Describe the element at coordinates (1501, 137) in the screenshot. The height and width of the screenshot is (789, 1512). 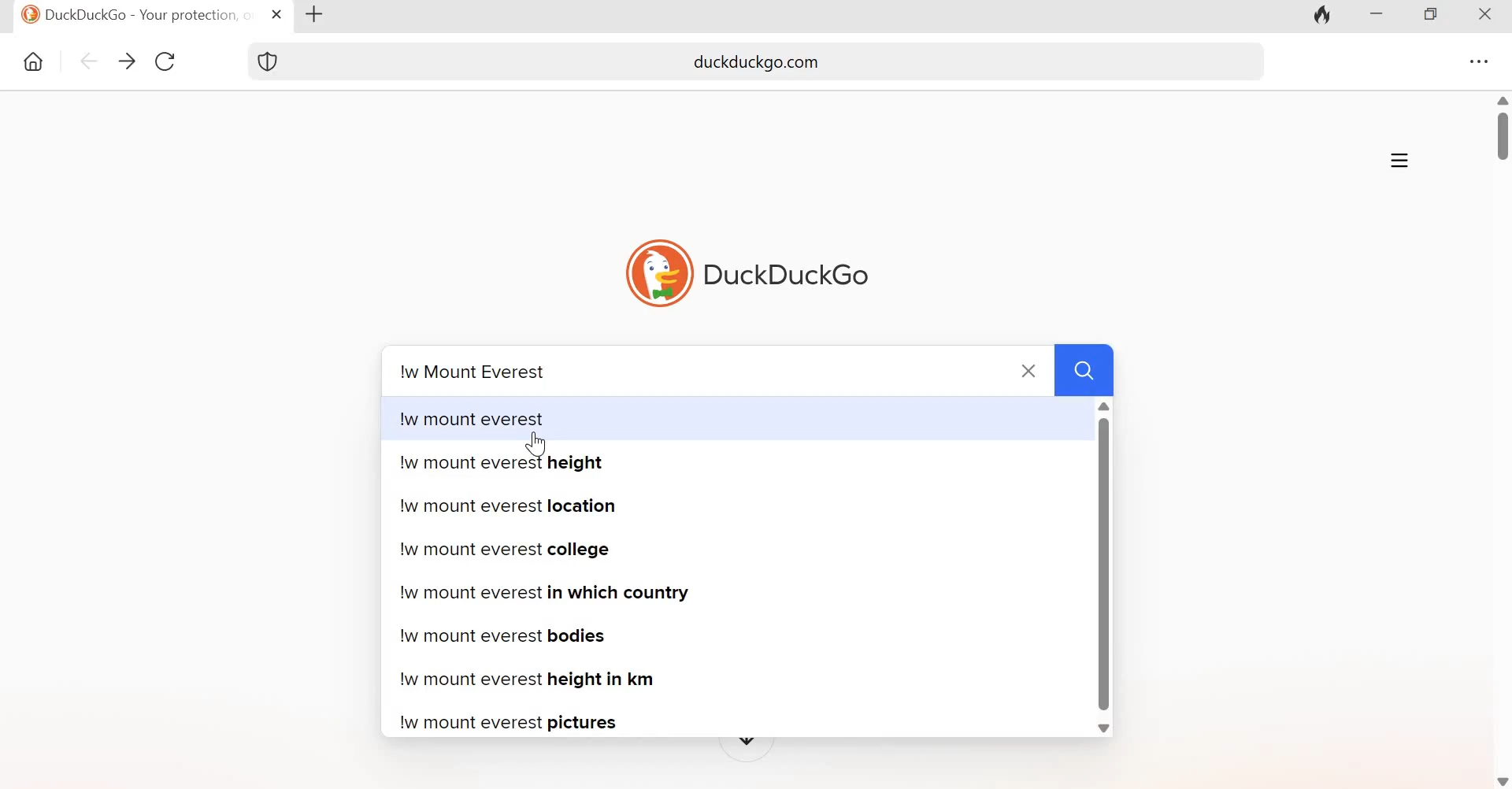
I see `Scrollbar` at that location.